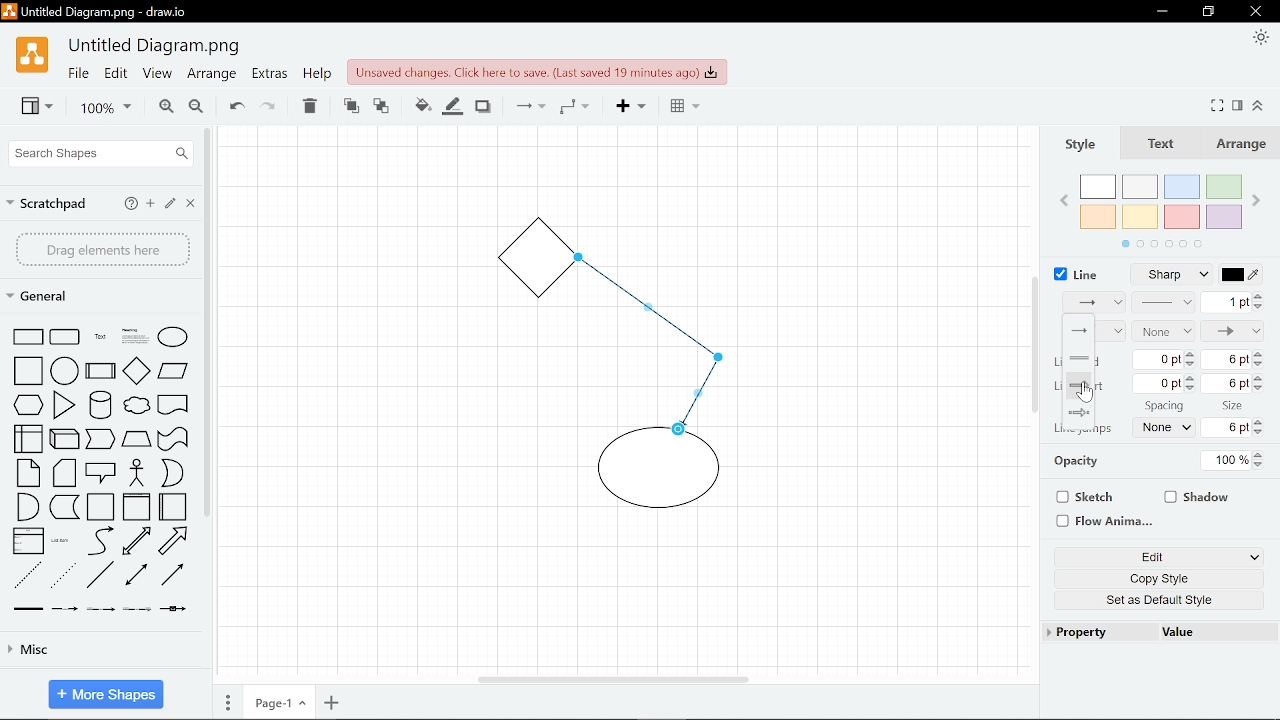  Describe the element at coordinates (1165, 302) in the screenshot. I see `Line thickness` at that location.